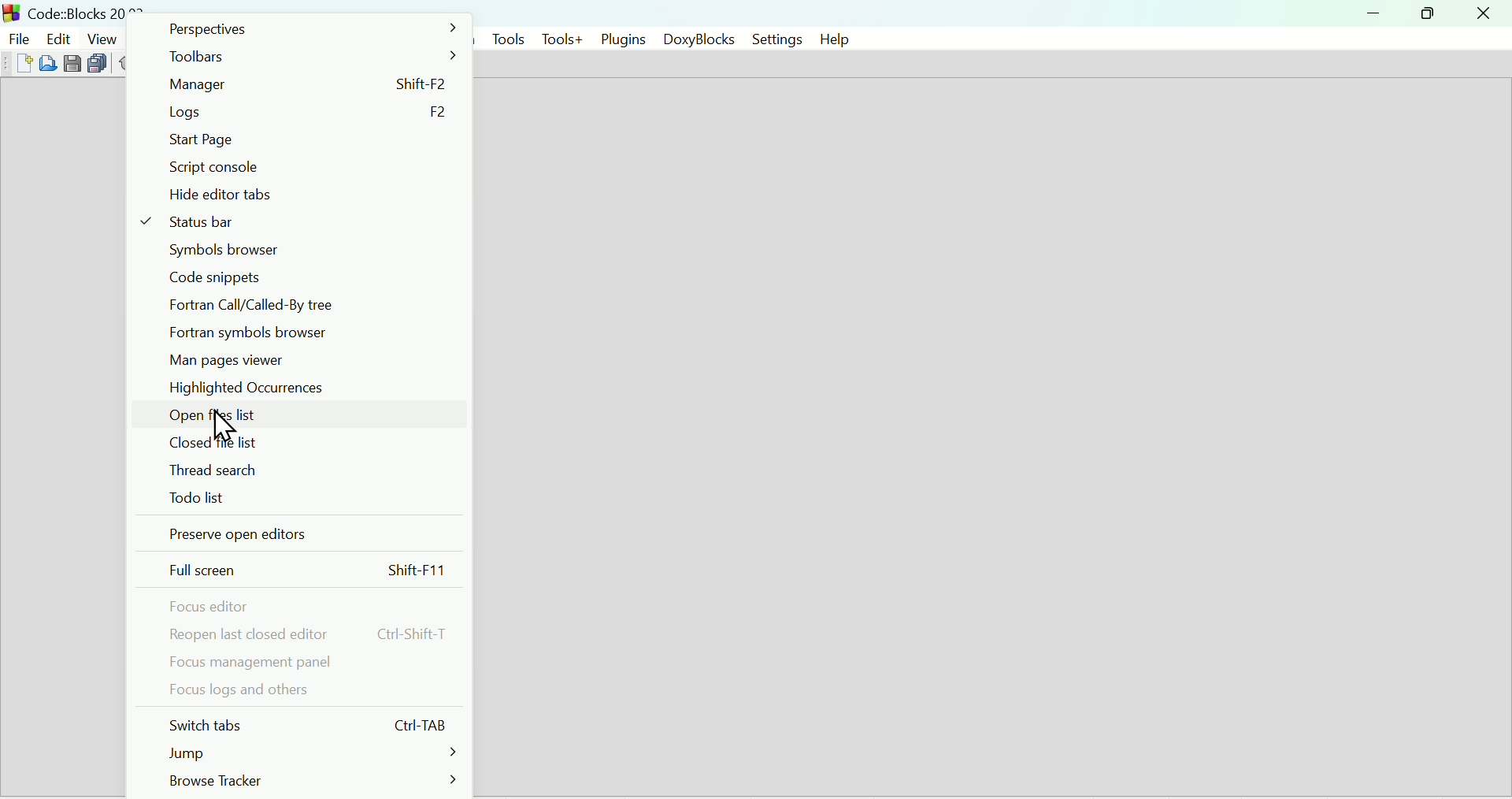 This screenshot has width=1512, height=799. What do you see at coordinates (309, 751) in the screenshot?
I see `Jump` at bounding box center [309, 751].